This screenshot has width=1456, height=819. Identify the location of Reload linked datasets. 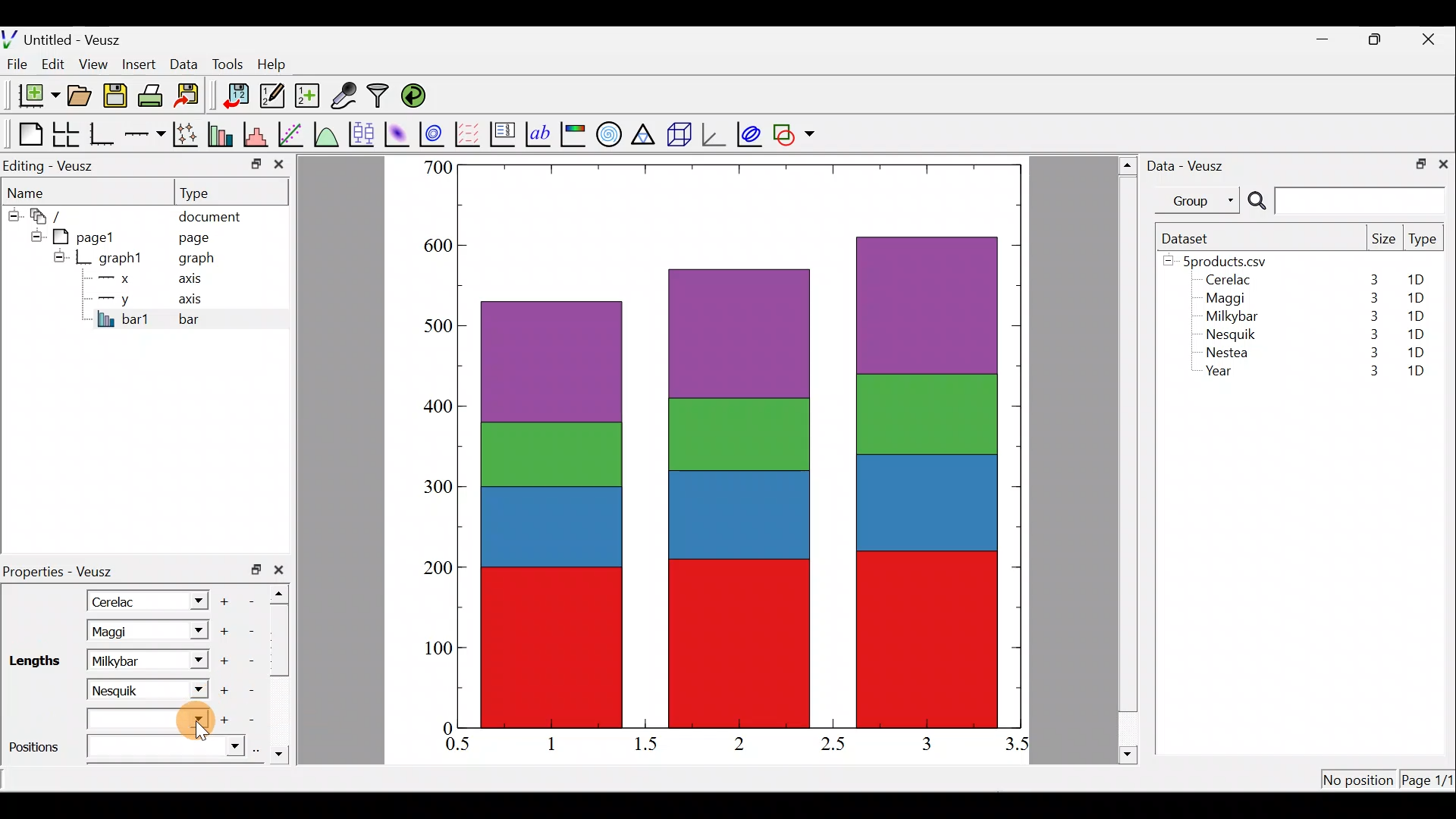
(417, 95).